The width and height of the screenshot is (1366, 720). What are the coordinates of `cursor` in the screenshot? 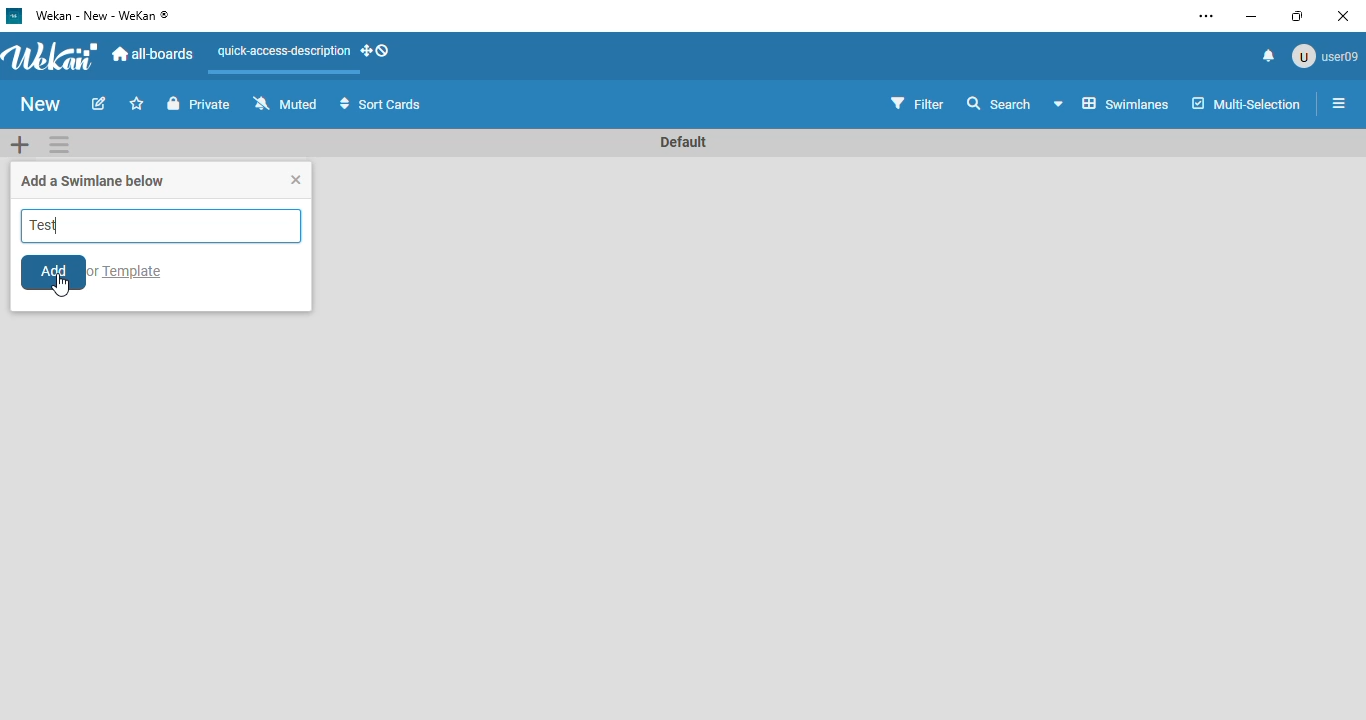 It's located at (60, 285).